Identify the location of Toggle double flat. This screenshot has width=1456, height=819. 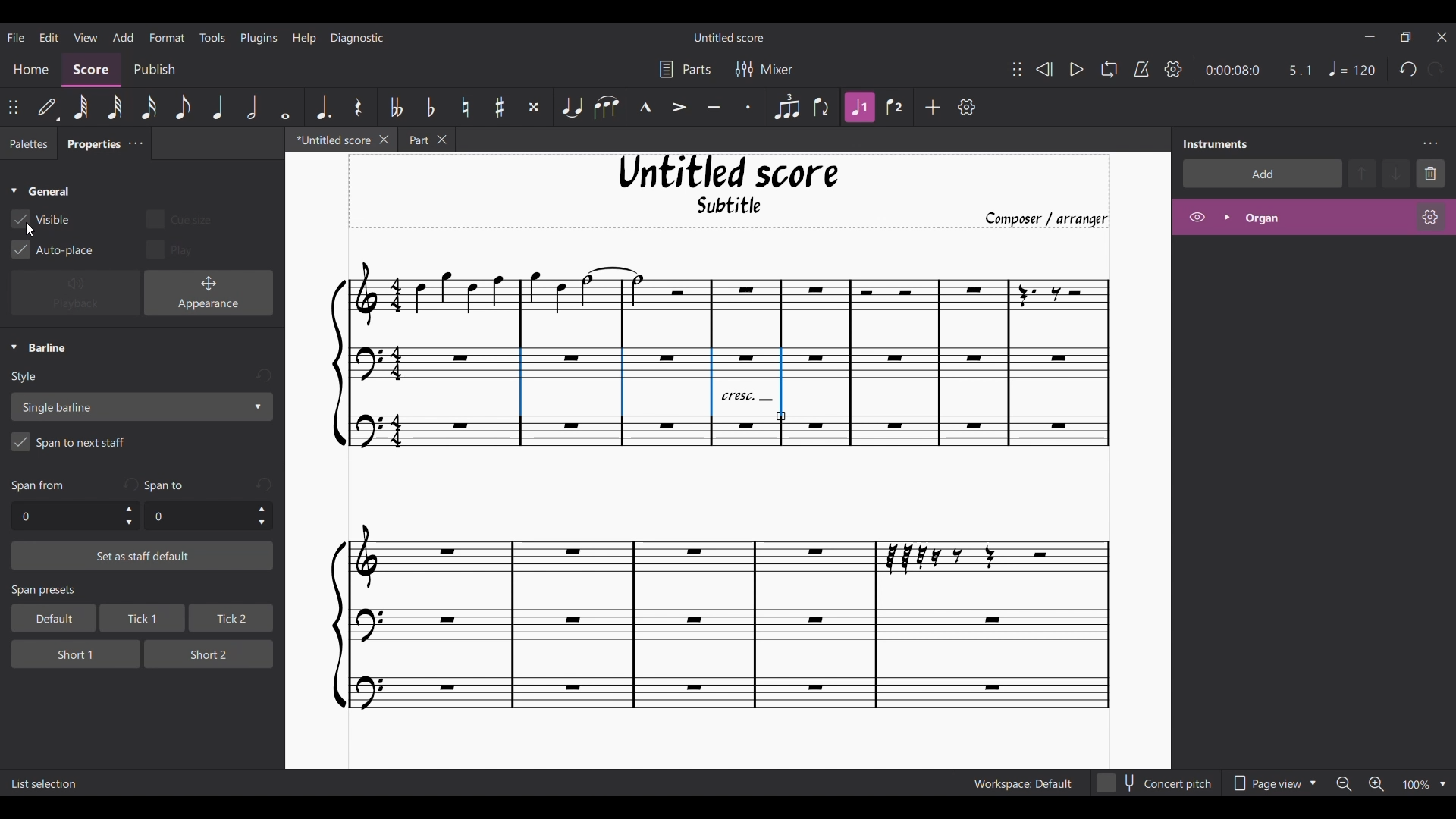
(394, 107).